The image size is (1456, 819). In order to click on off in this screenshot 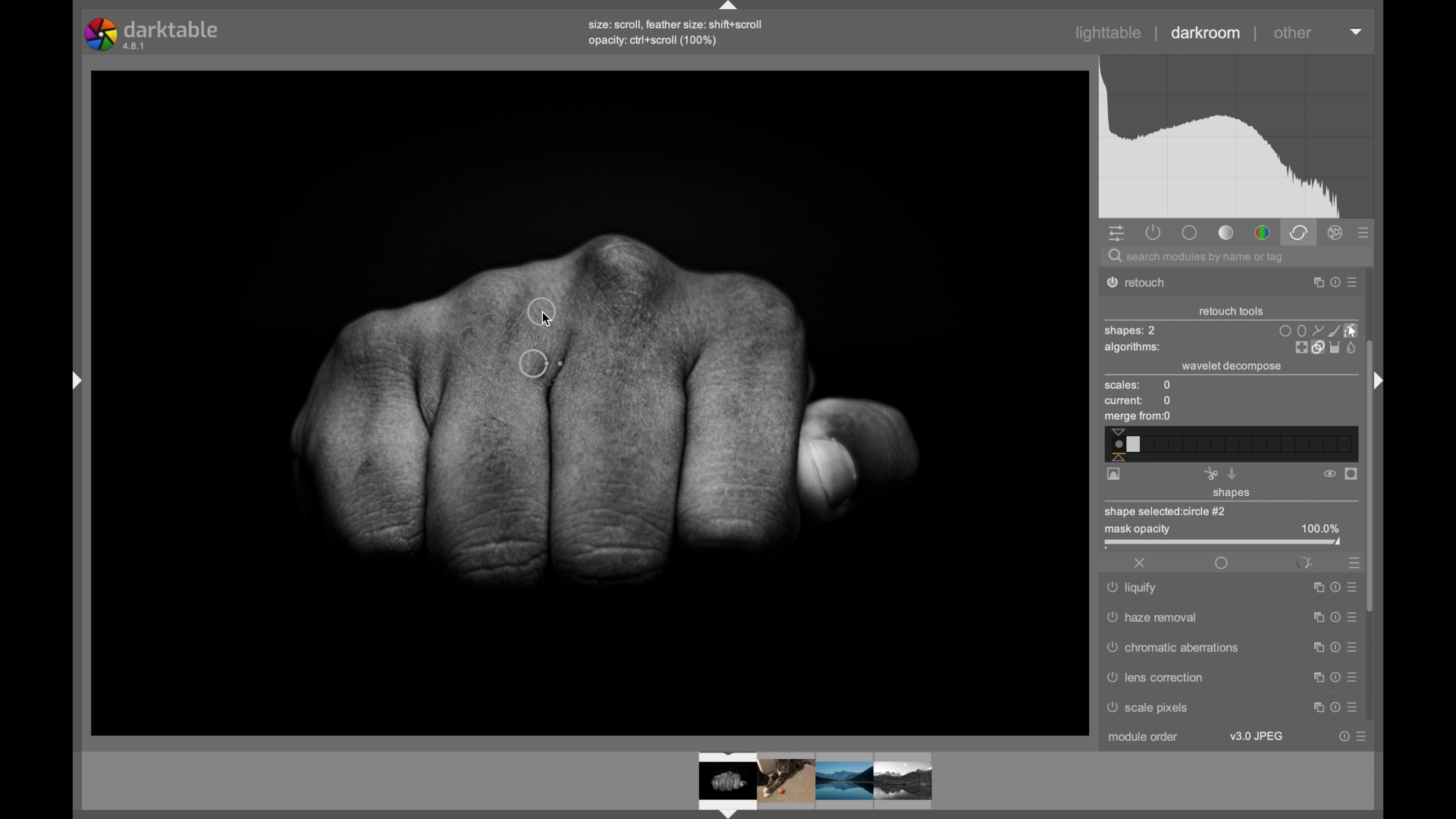, I will do `click(1141, 563)`.